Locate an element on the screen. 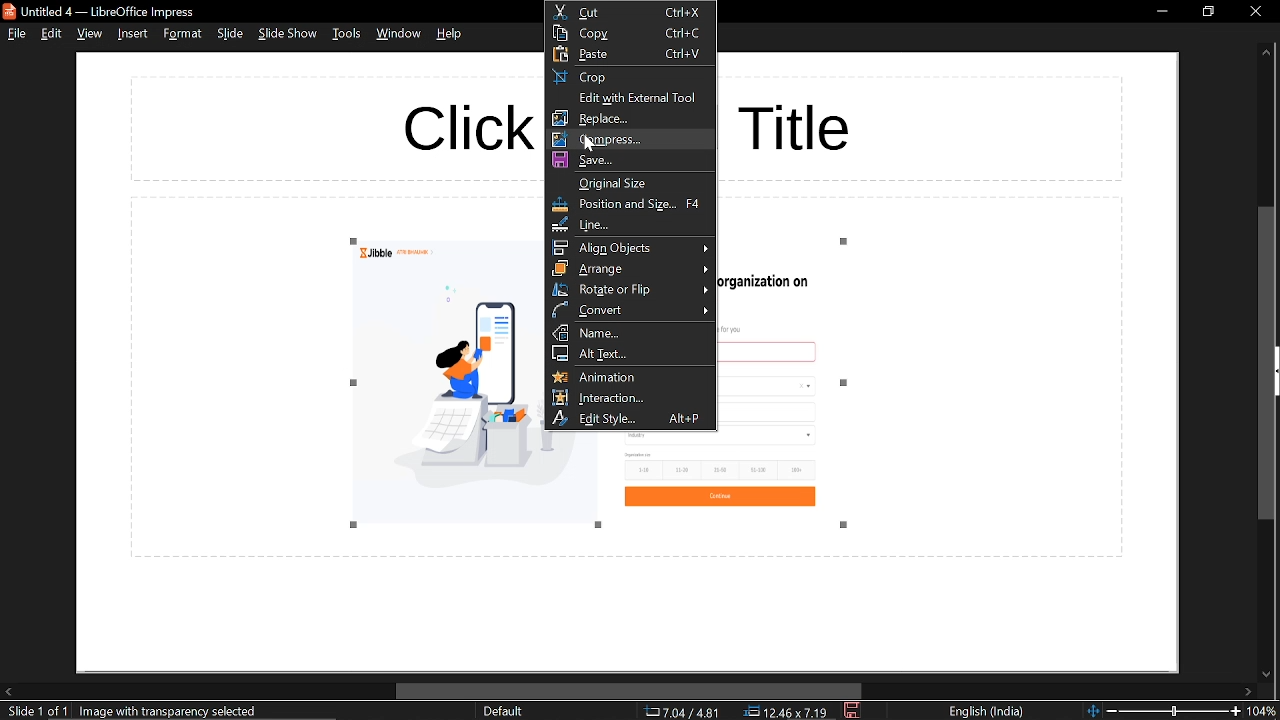 Image resolution: width=1280 pixels, height=720 pixels. view is located at coordinates (88, 35).